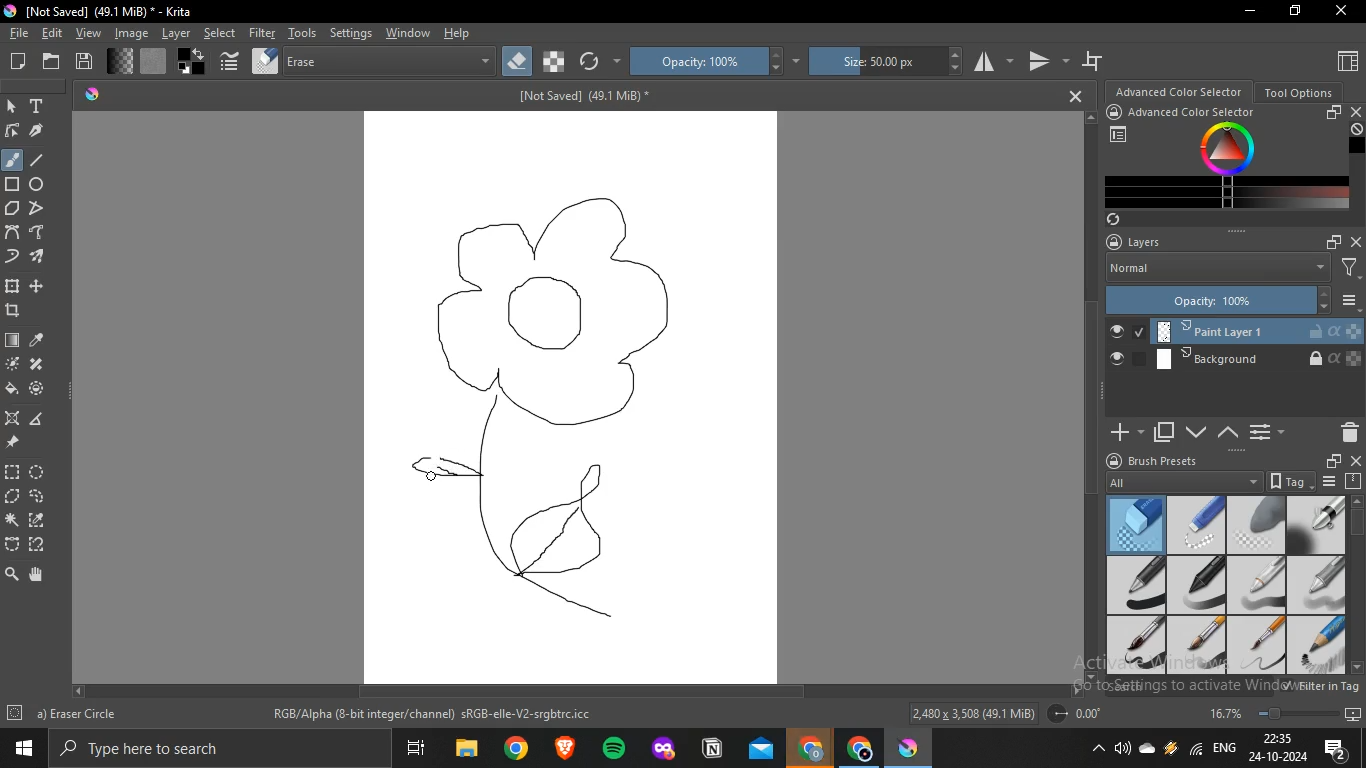 The width and height of the screenshot is (1366, 768). I want to click on floater window, so click(1332, 461).